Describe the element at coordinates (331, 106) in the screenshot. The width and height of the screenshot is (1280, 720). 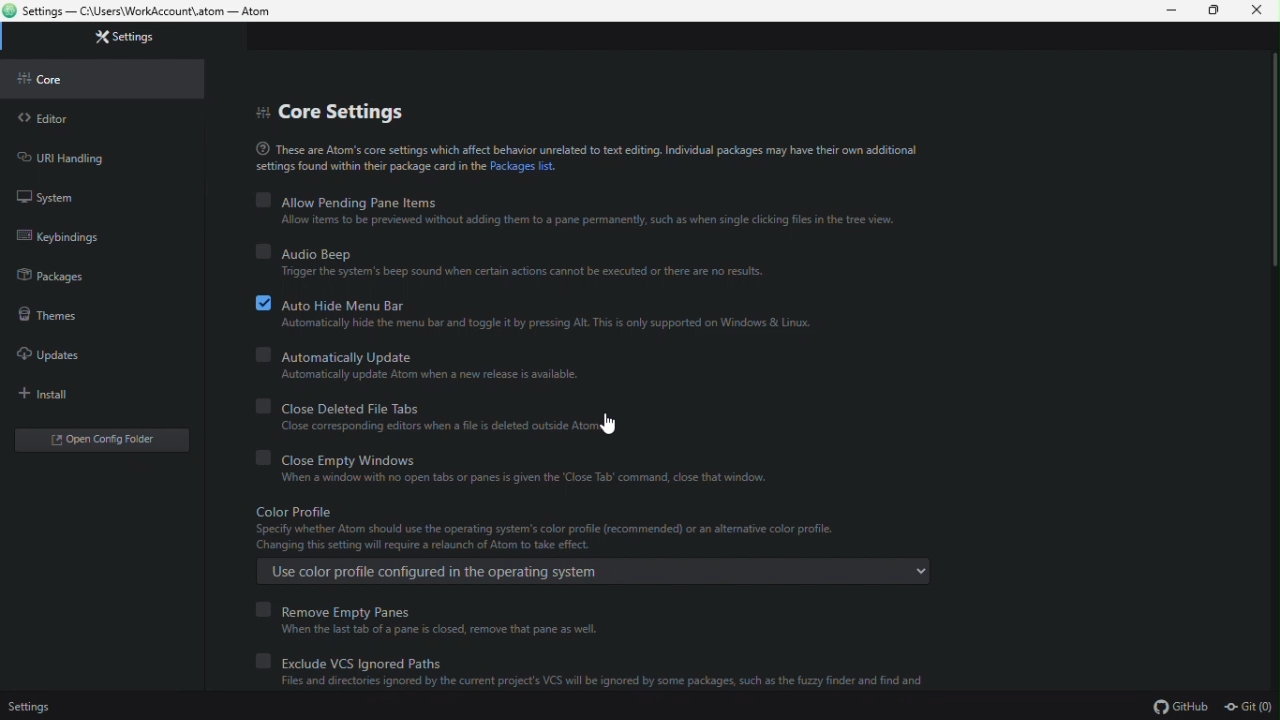
I see `core settings` at that location.